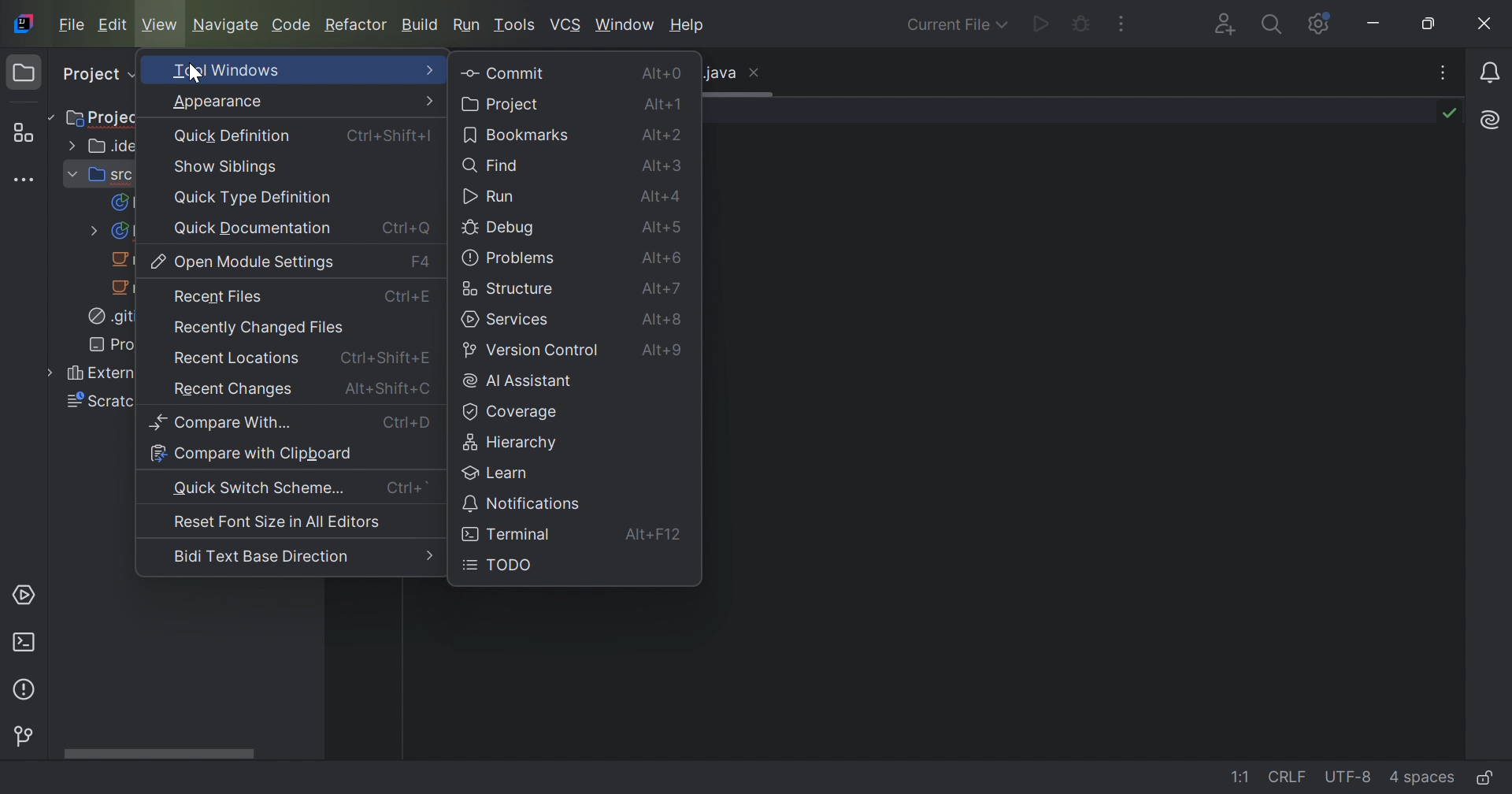 Image resolution: width=1512 pixels, height=794 pixels. I want to click on 4 spaces, so click(1425, 780).